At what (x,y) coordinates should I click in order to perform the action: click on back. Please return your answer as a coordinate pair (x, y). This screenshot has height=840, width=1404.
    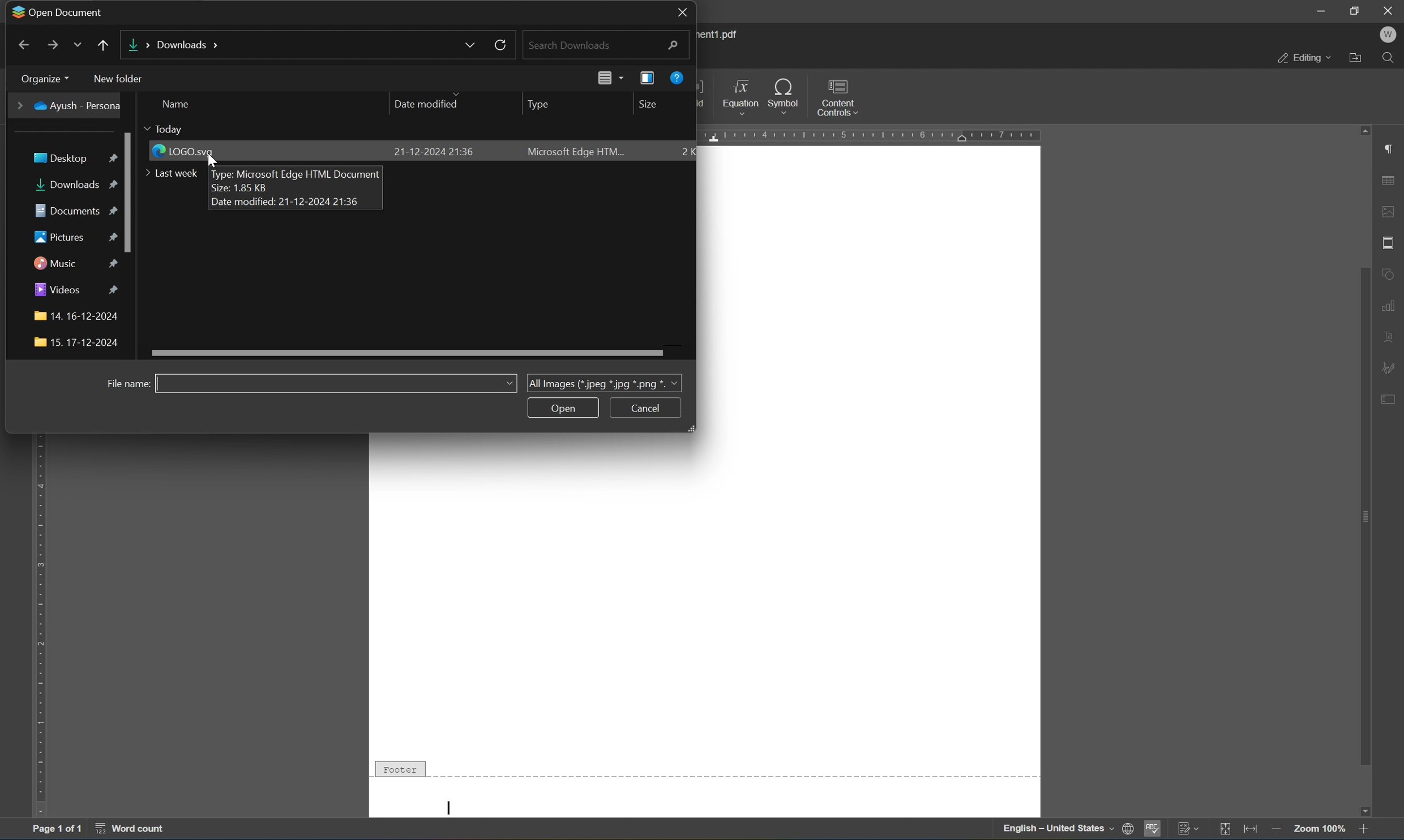
    Looking at the image, I should click on (21, 43).